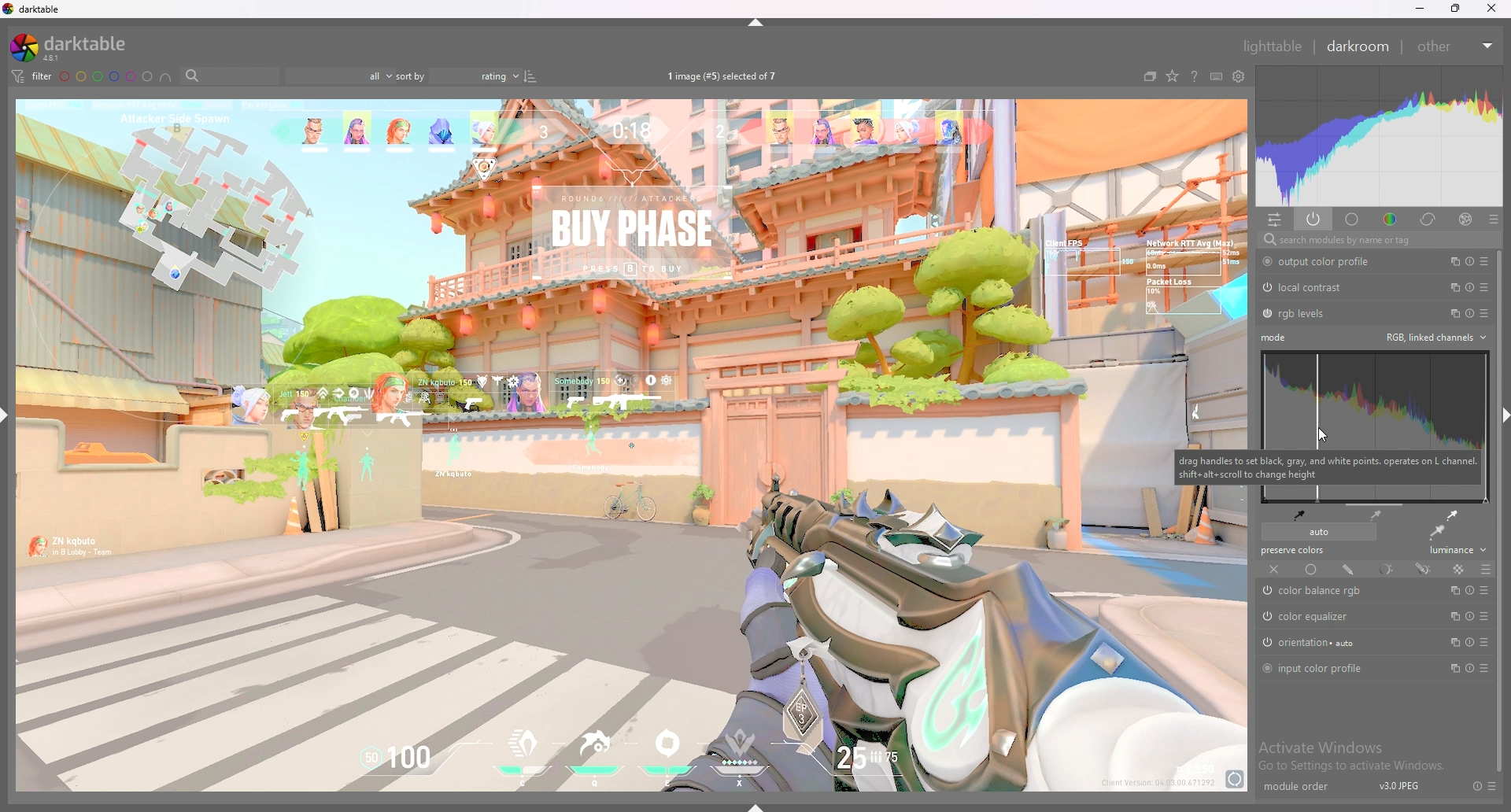  I want to click on images selected, so click(722, 76).